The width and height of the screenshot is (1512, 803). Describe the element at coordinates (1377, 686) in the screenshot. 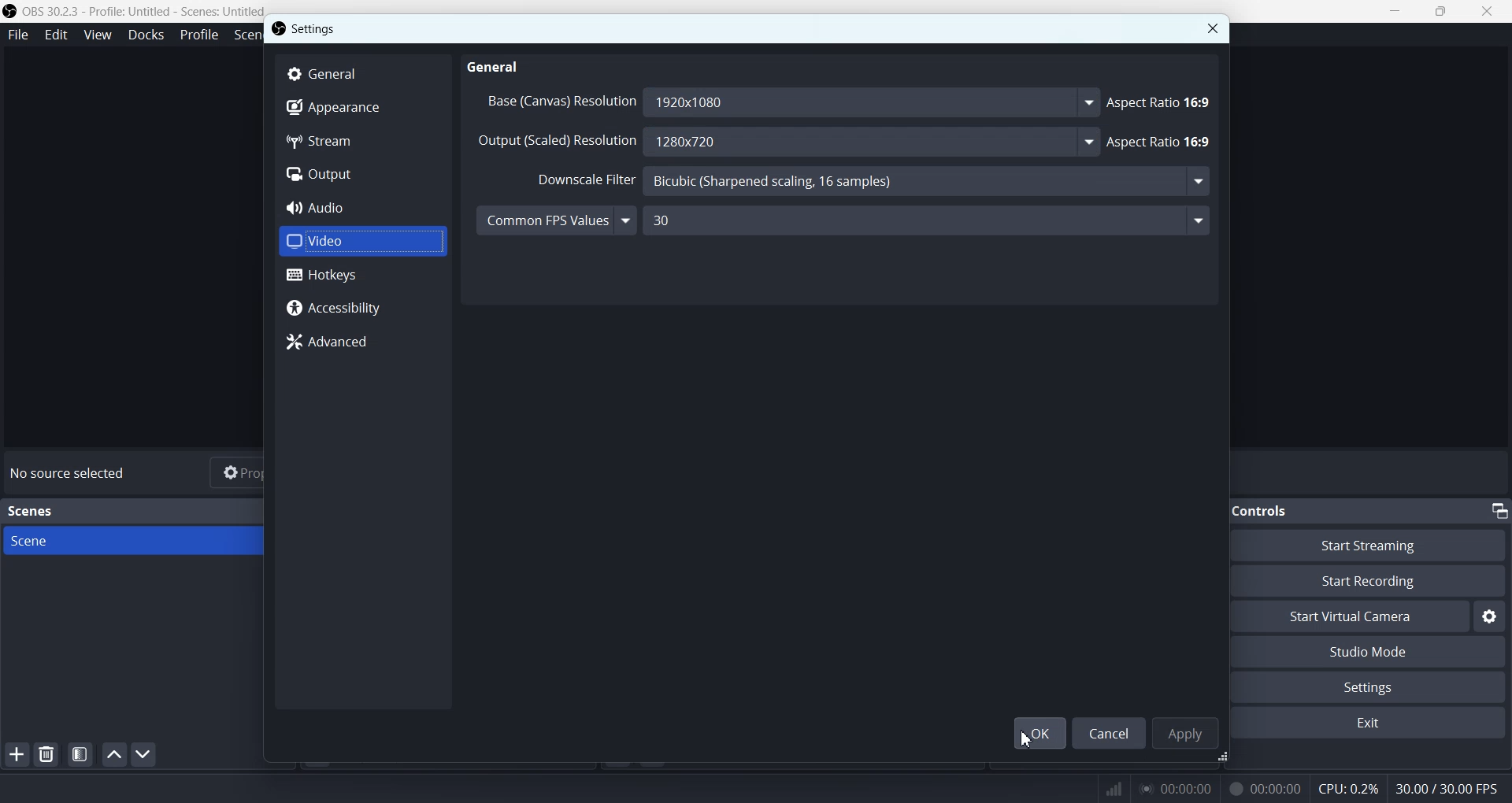

I see `Settings` at that location.